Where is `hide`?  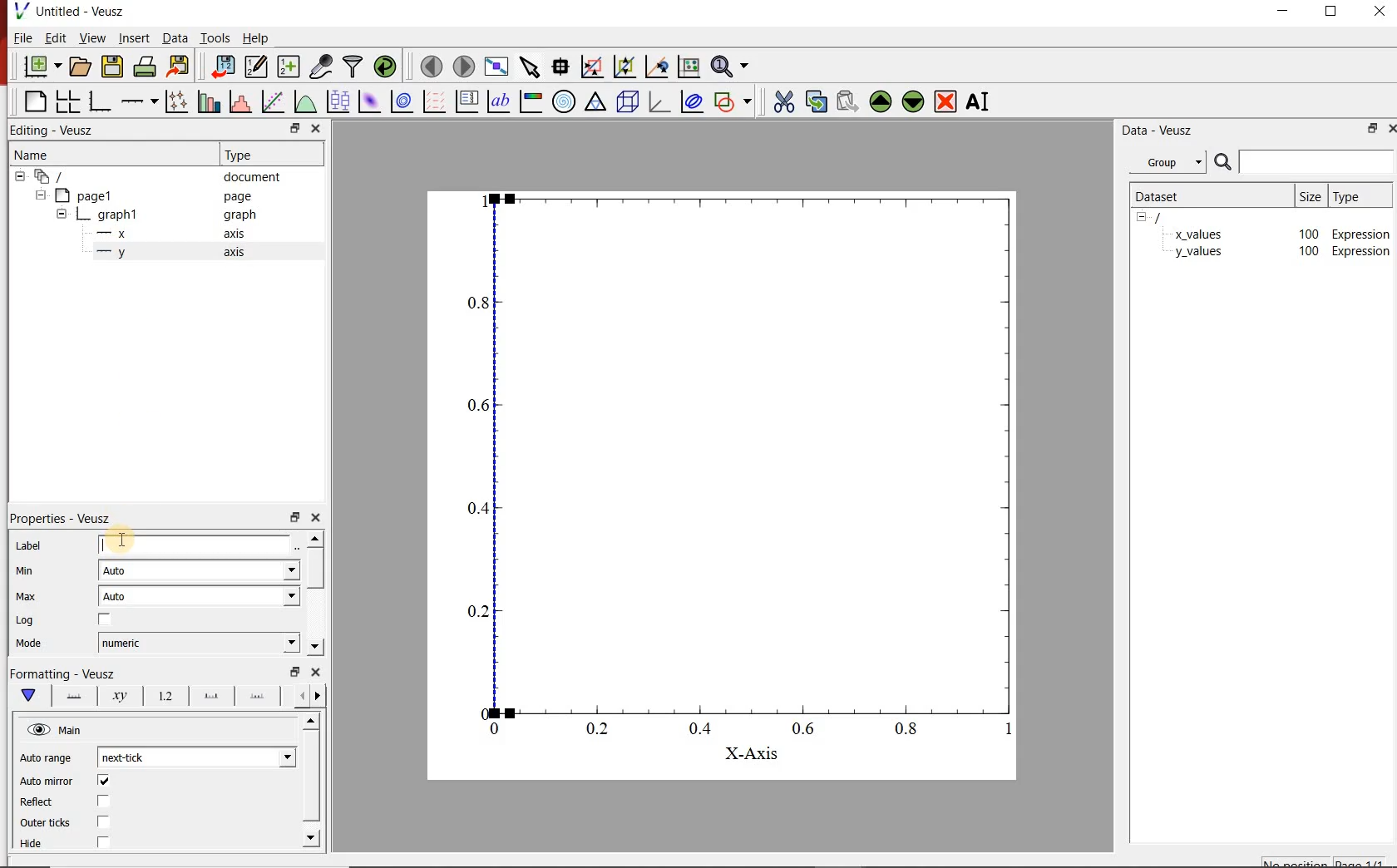 hide is located at coordinates (20, 176).